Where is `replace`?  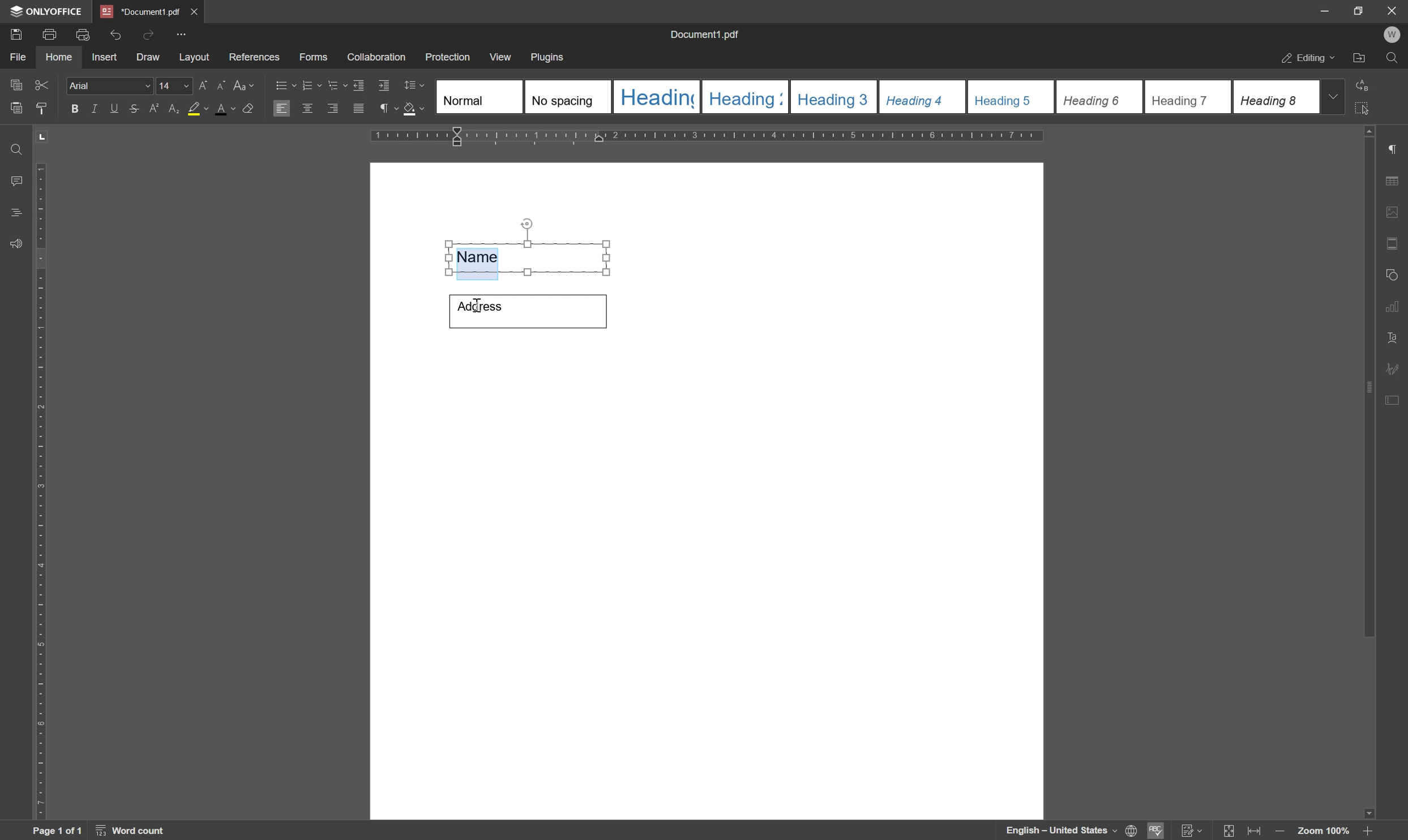
replace is located at coordinates (1364, 83).